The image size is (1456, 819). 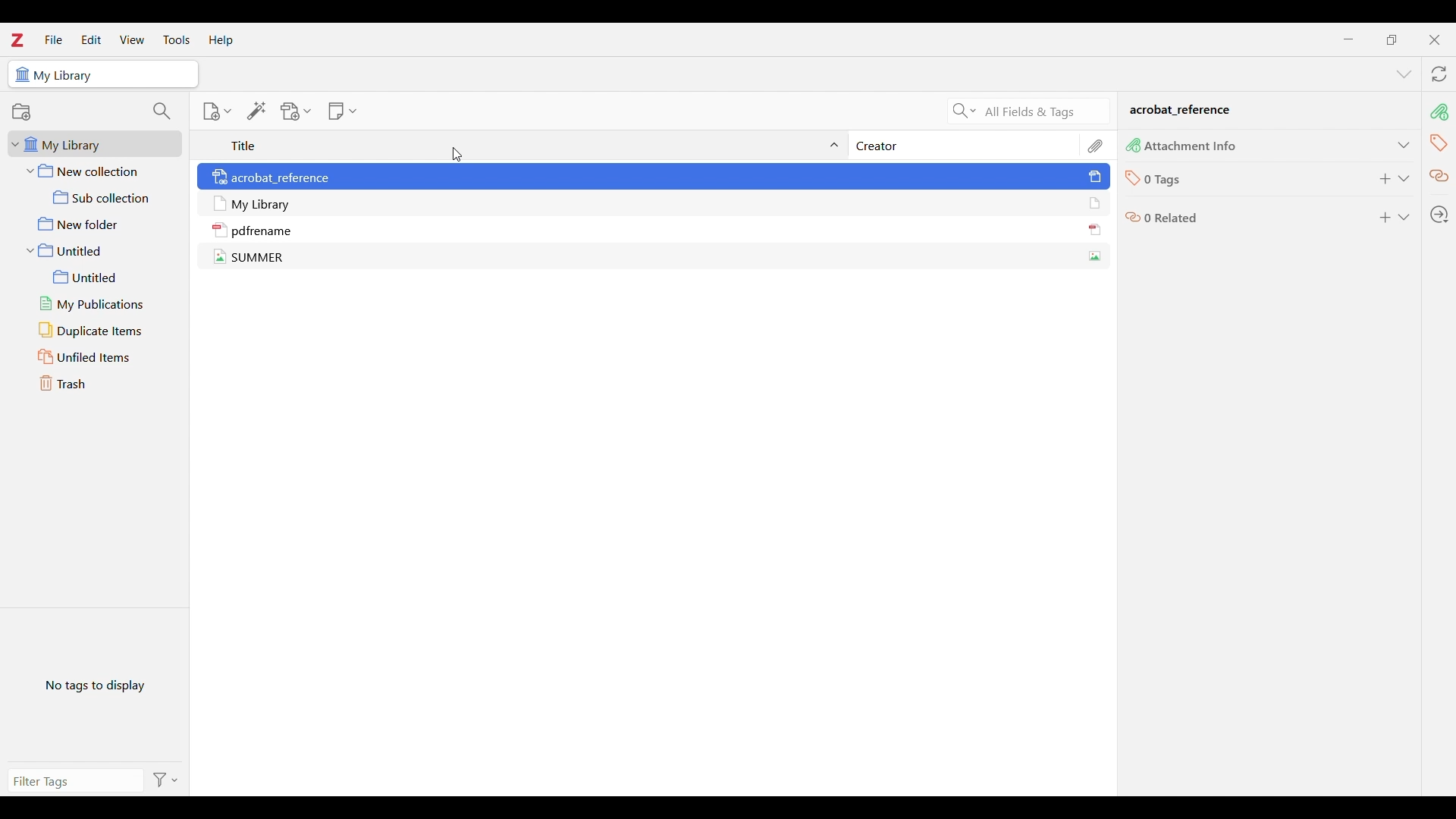 What do you see at coordinates (220, 178) in the screenshot?
I see `icon` at bounding box center [220, 178].